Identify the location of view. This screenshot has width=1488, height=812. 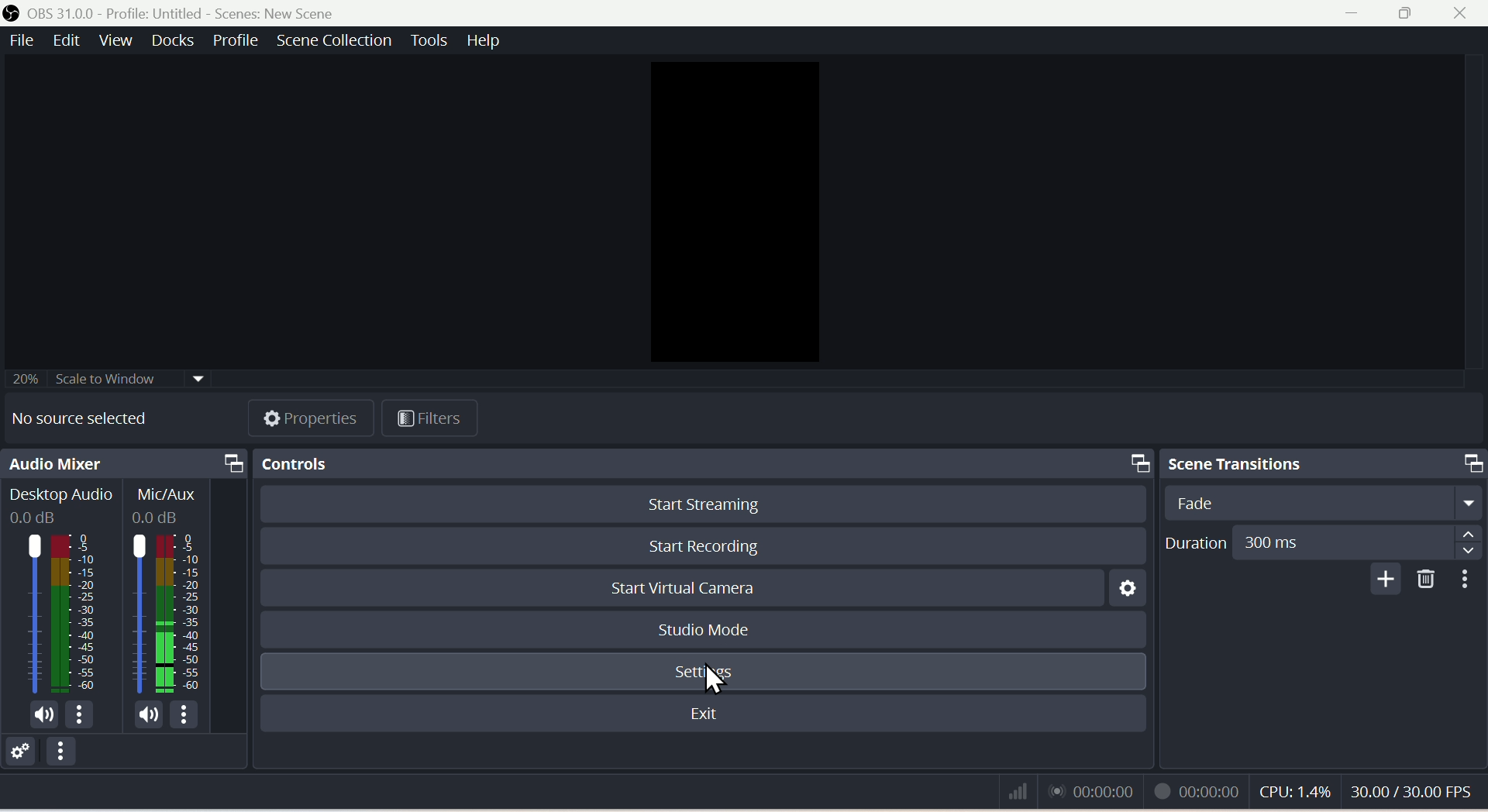
(115, 40).